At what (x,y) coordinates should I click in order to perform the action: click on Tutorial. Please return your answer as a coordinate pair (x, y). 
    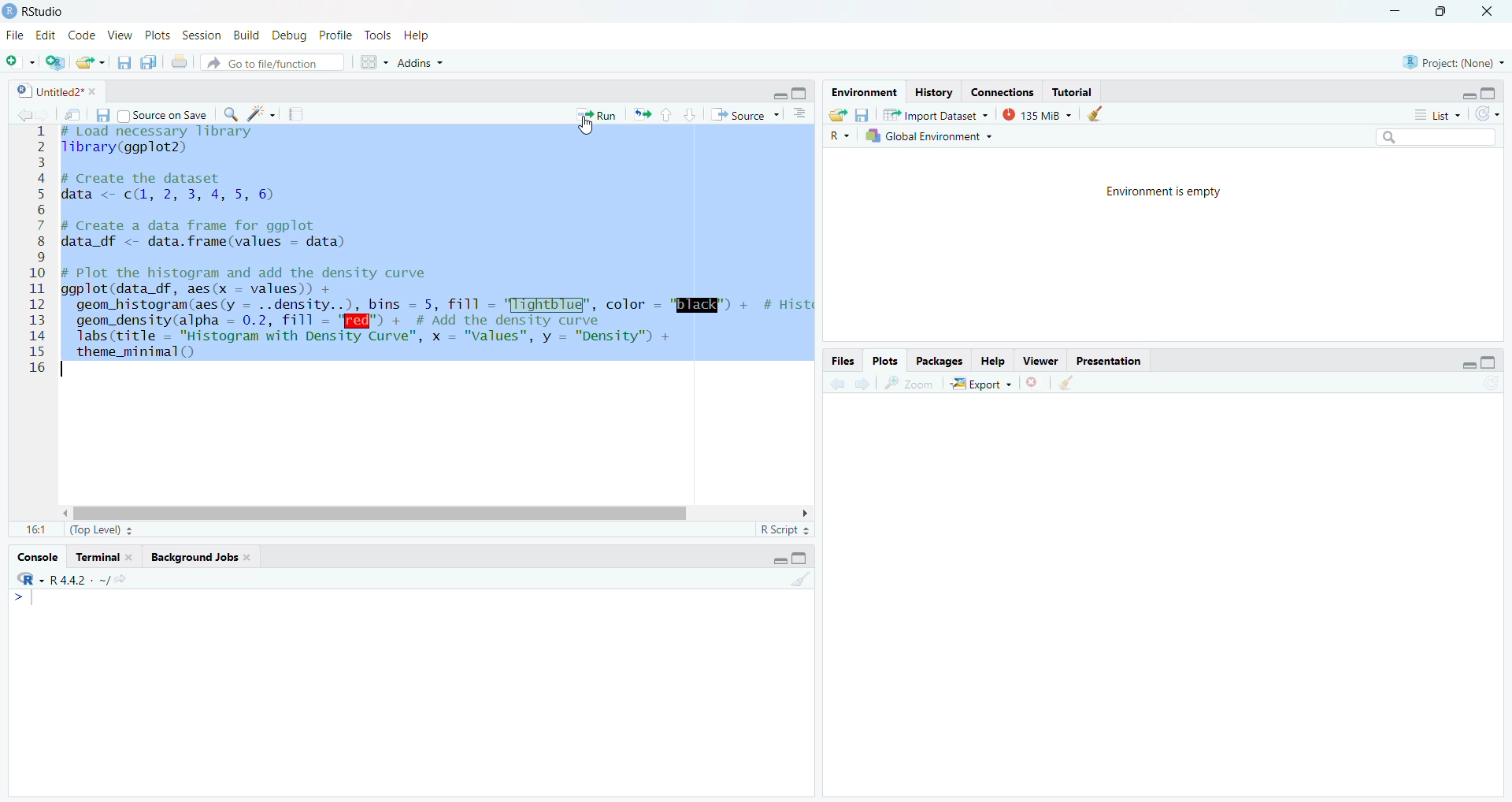
    Looking at the image, I should click on (1073, 91).